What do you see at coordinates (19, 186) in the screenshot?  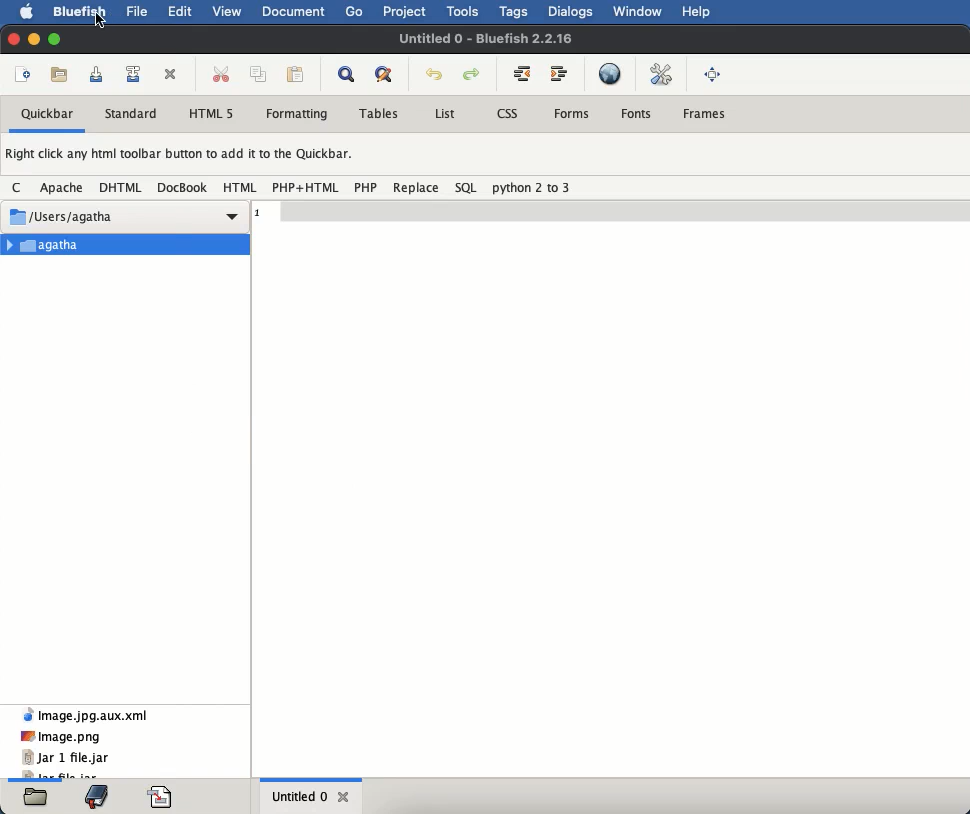 I see `C` at bounding box center [19, 186].